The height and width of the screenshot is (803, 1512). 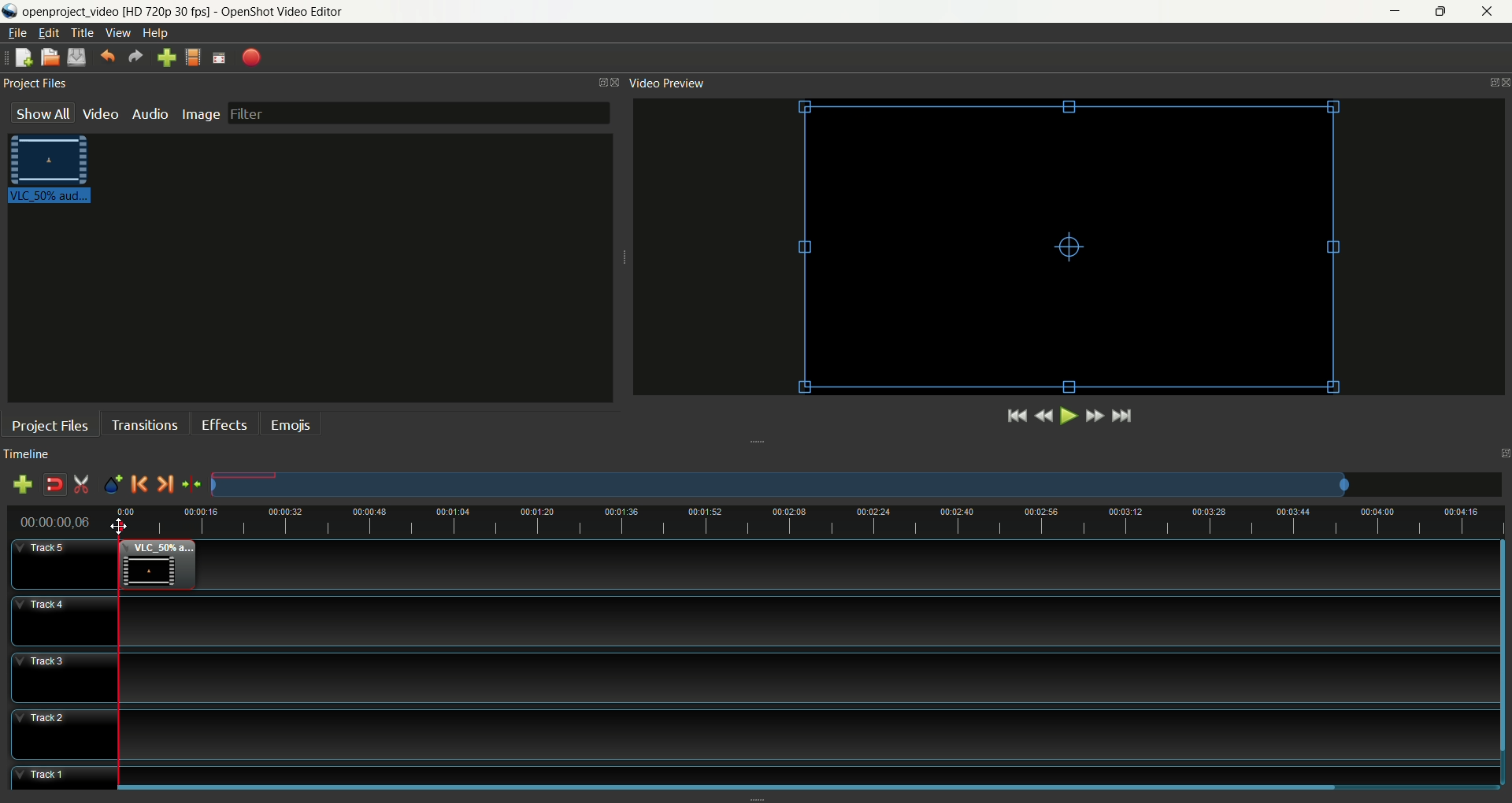 I want to click on fullscreen, so click(x=219, y=56).